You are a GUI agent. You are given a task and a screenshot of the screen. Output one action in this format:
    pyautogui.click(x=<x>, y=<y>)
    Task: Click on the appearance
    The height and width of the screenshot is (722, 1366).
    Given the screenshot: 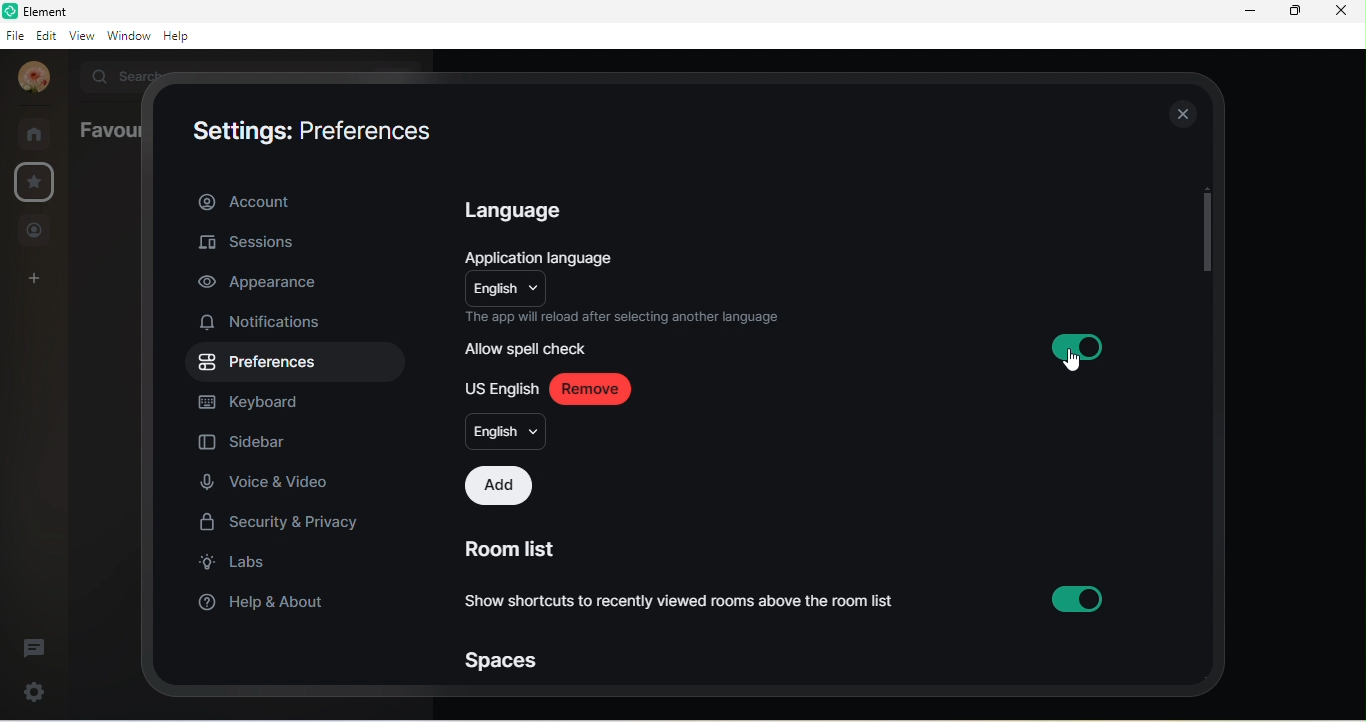 What is the action you would take?
    pyautogui.click(x=268, y=284)
    